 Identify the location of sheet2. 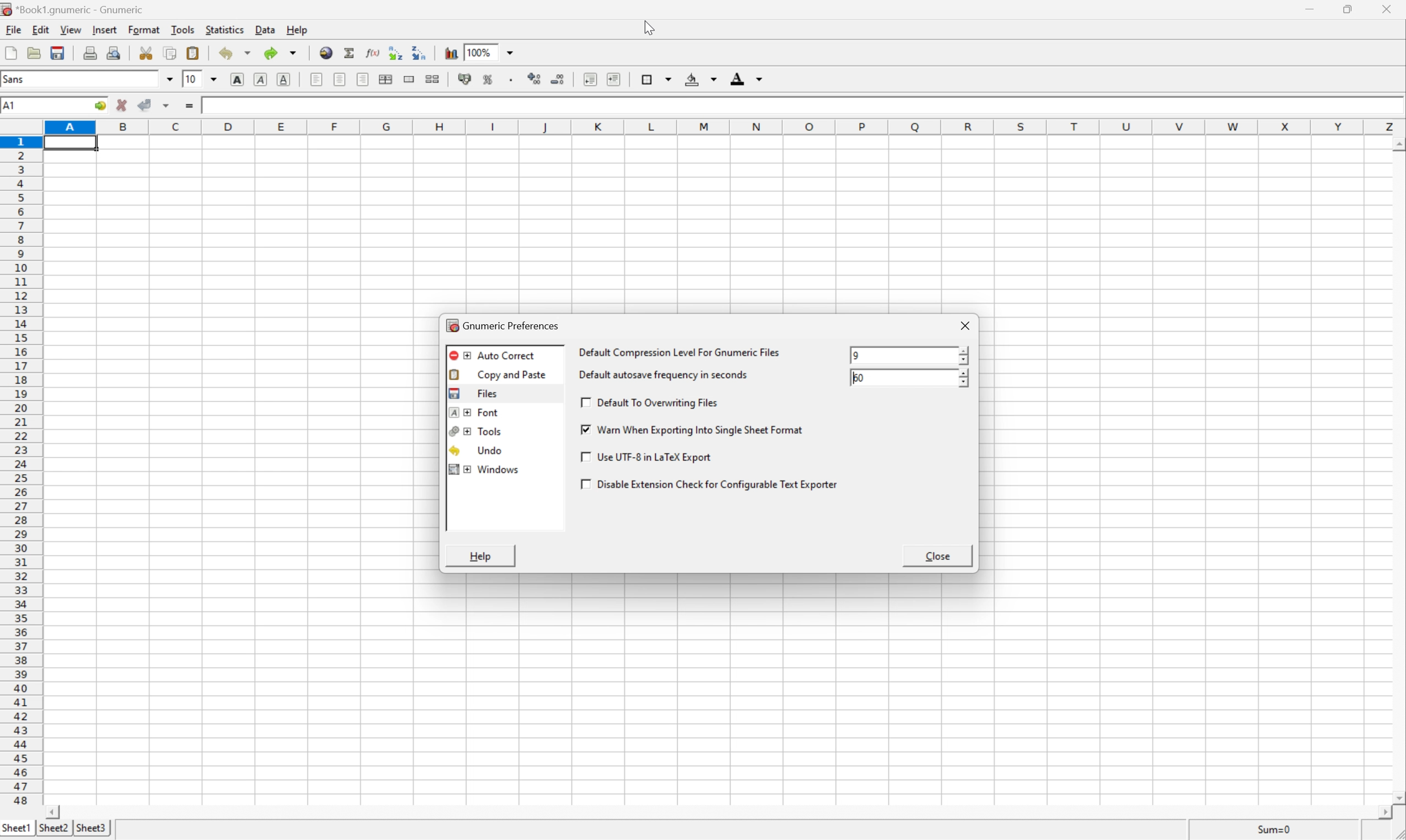
(52, 832).